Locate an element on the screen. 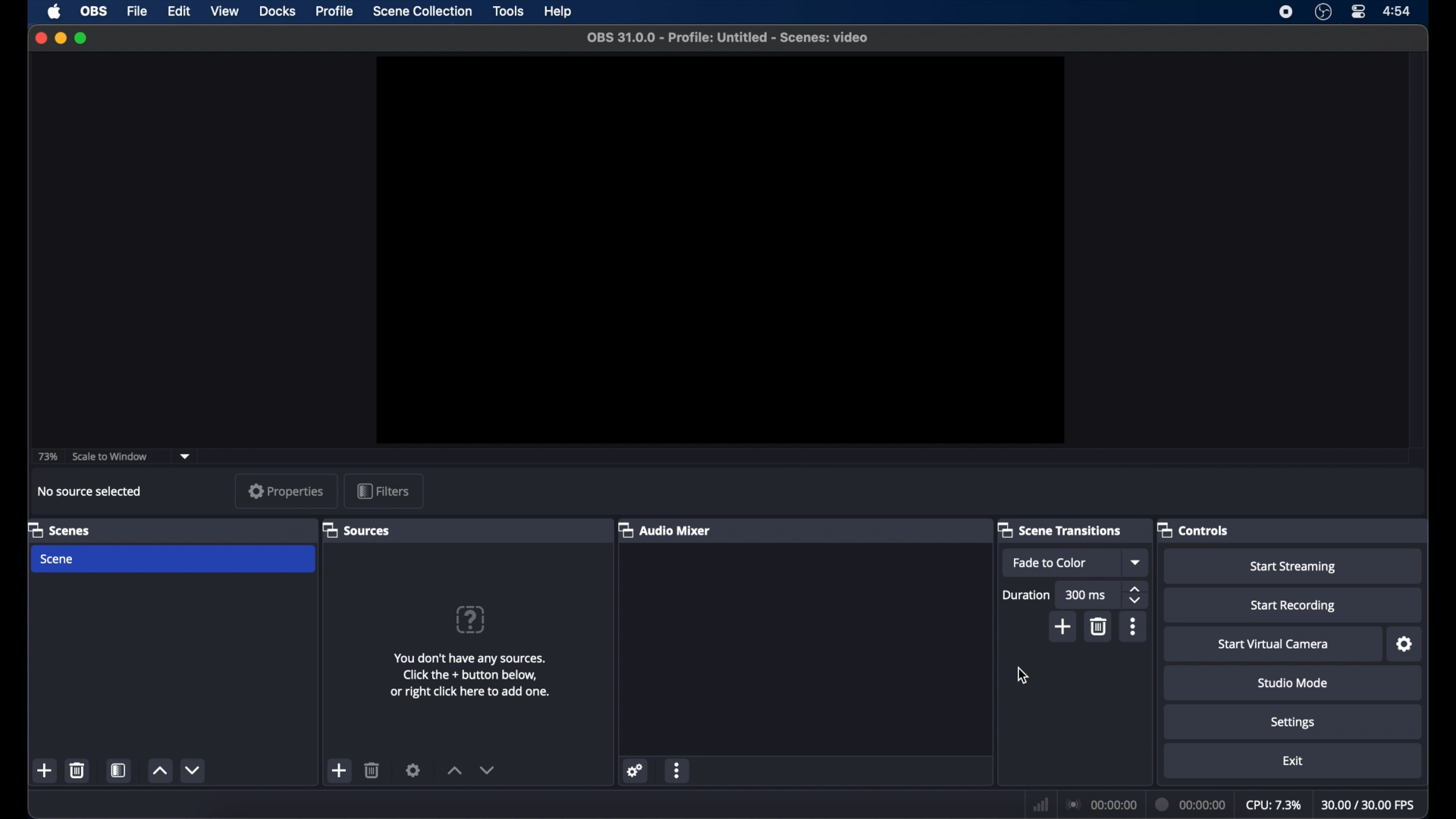  no source selected is located at coordinates (89, 491).